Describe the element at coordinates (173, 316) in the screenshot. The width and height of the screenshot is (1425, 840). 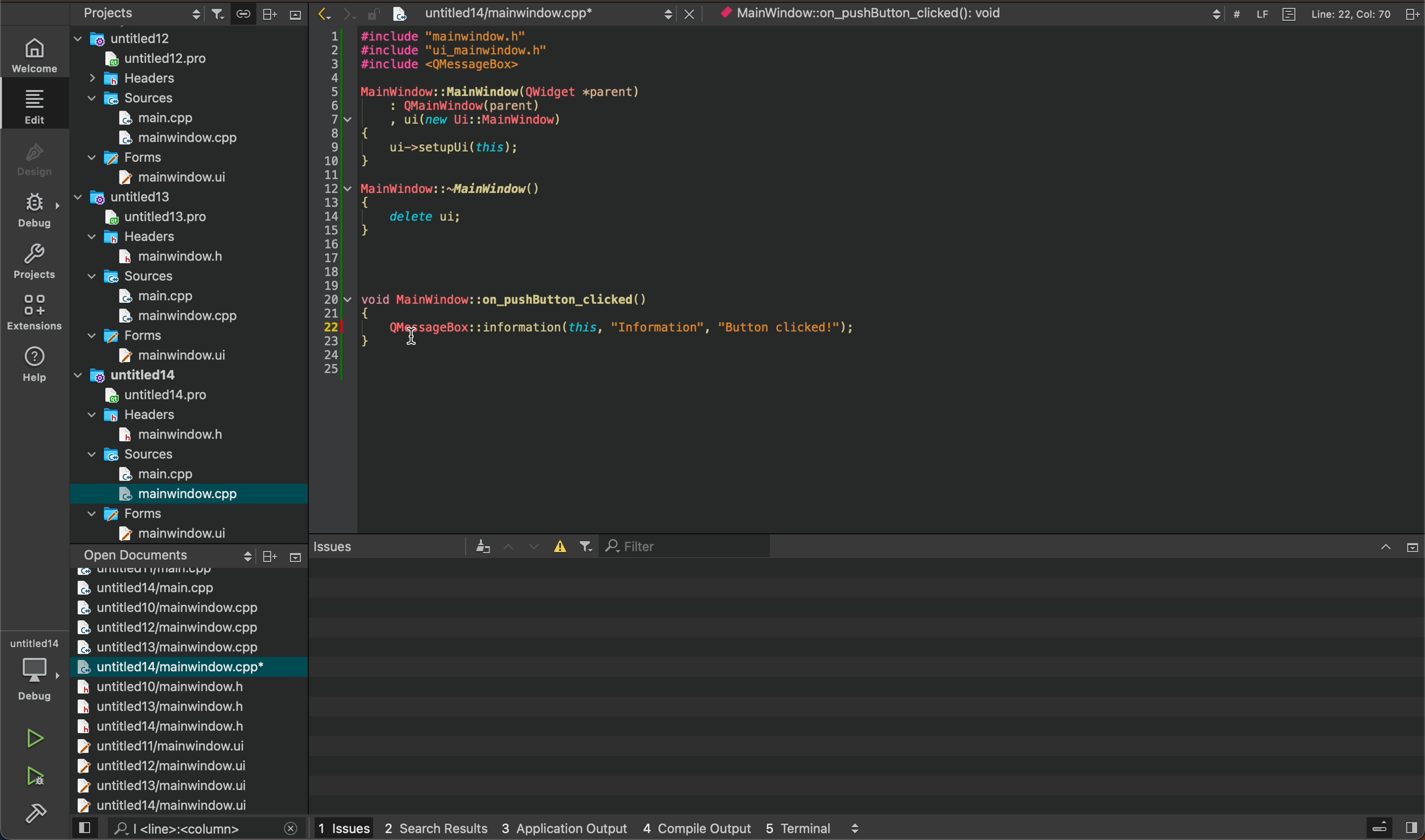
I see `main window` at that location.